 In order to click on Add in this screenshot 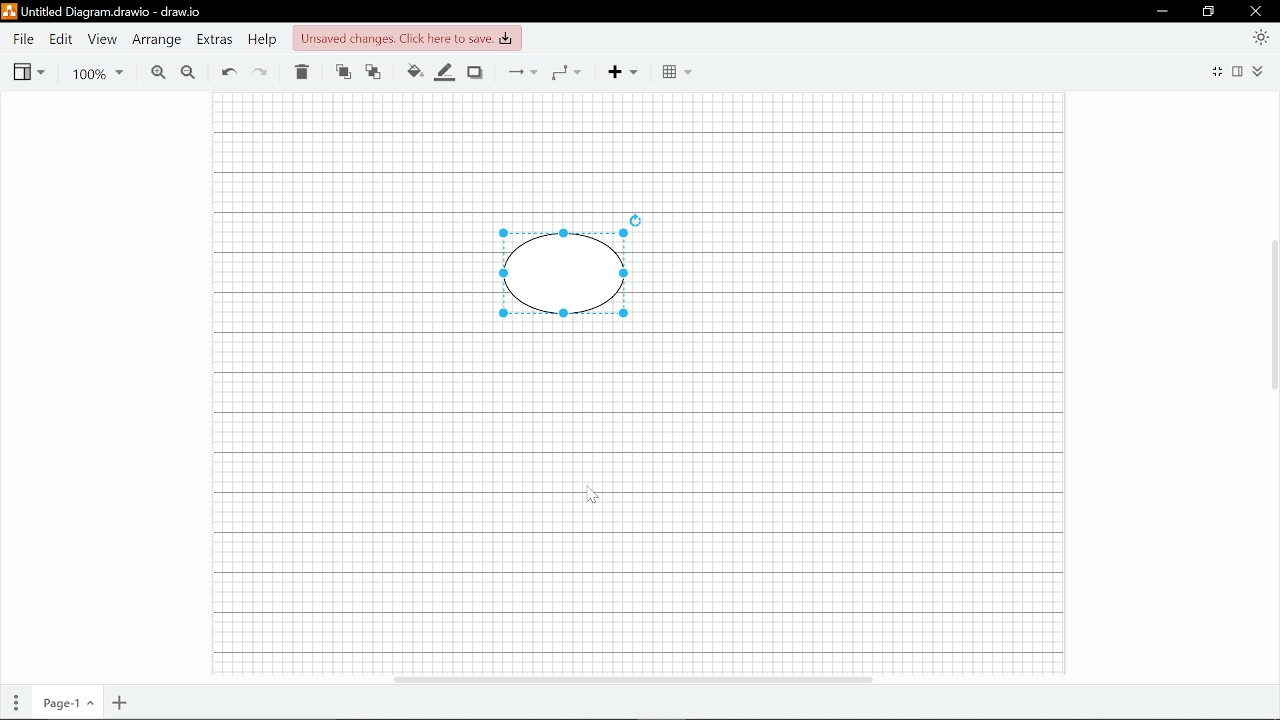, I will do `click(620, 72)`.